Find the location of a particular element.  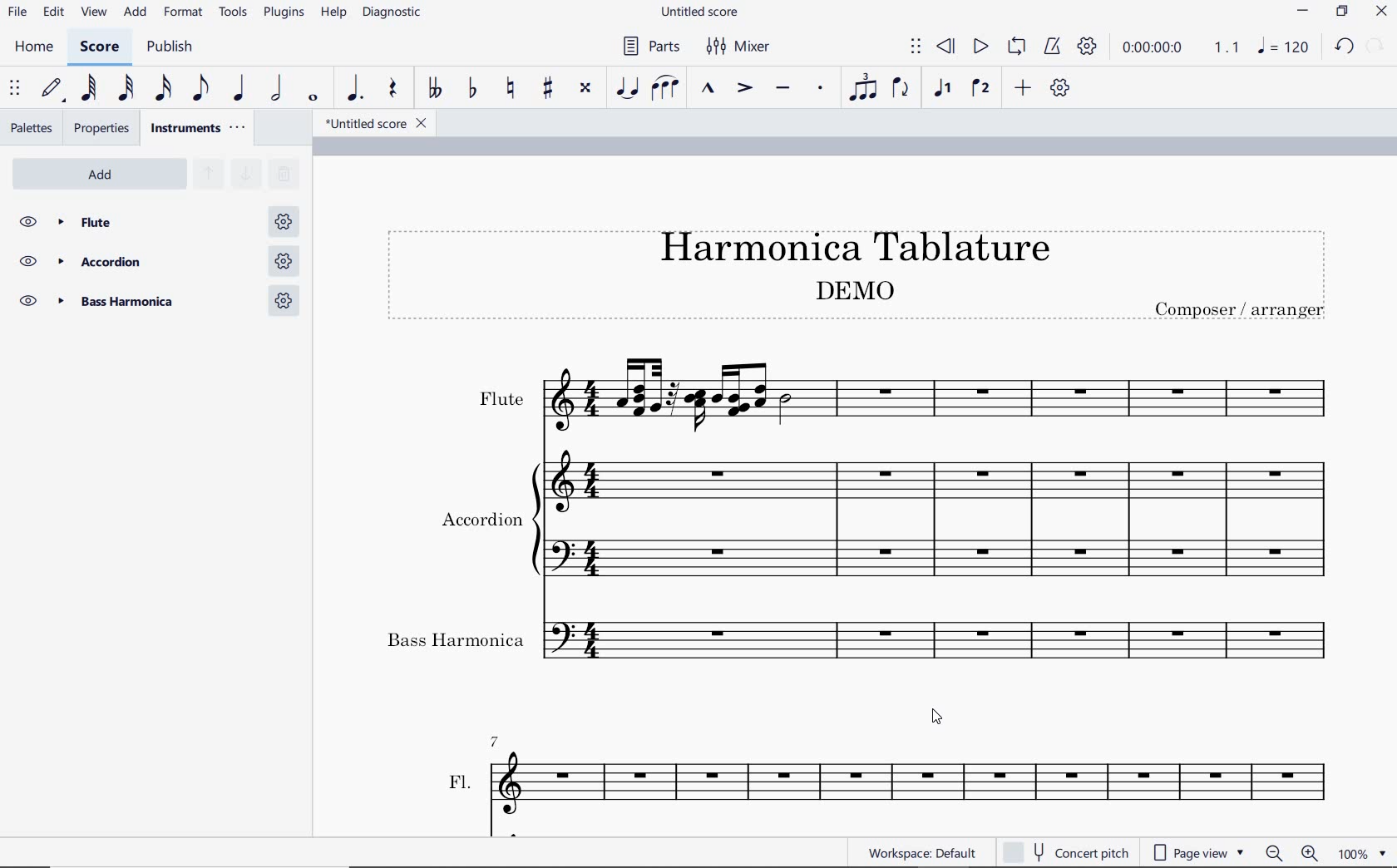

EDIT is located at coordinates (52, 12).